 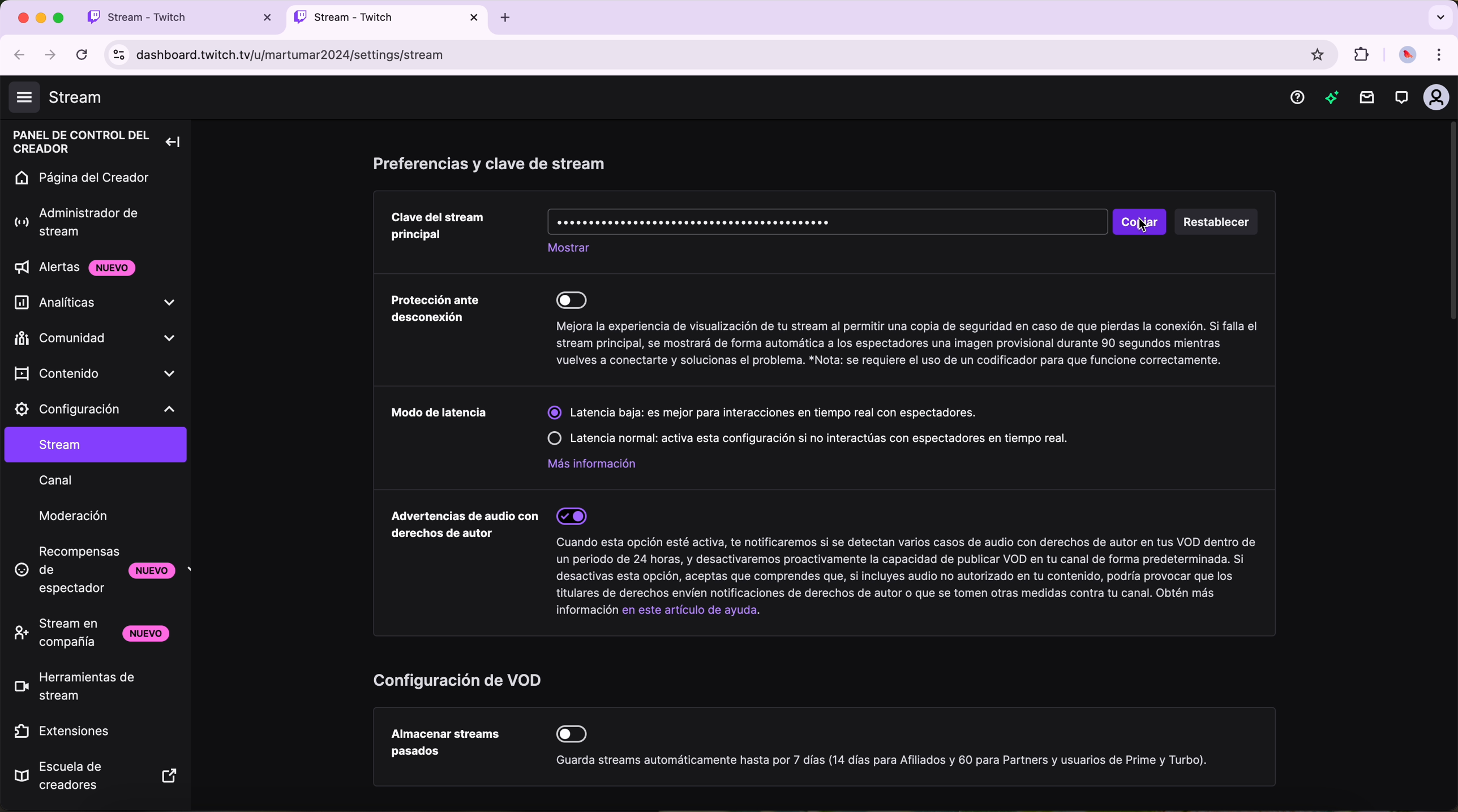 I want to click on description, so click(x=903, y=344).